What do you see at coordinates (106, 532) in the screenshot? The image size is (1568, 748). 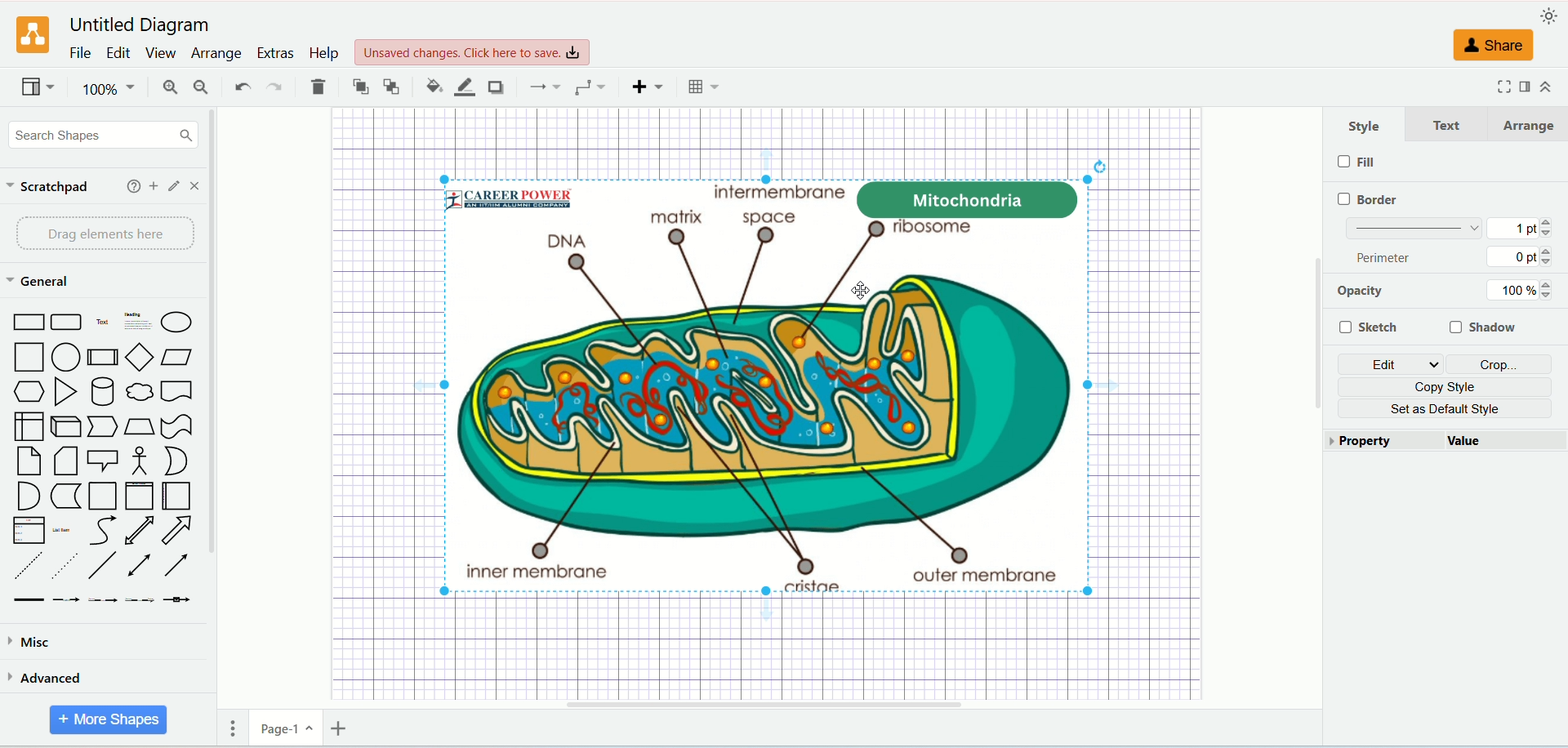 I see `Curves` at bounding box center [106, 532].